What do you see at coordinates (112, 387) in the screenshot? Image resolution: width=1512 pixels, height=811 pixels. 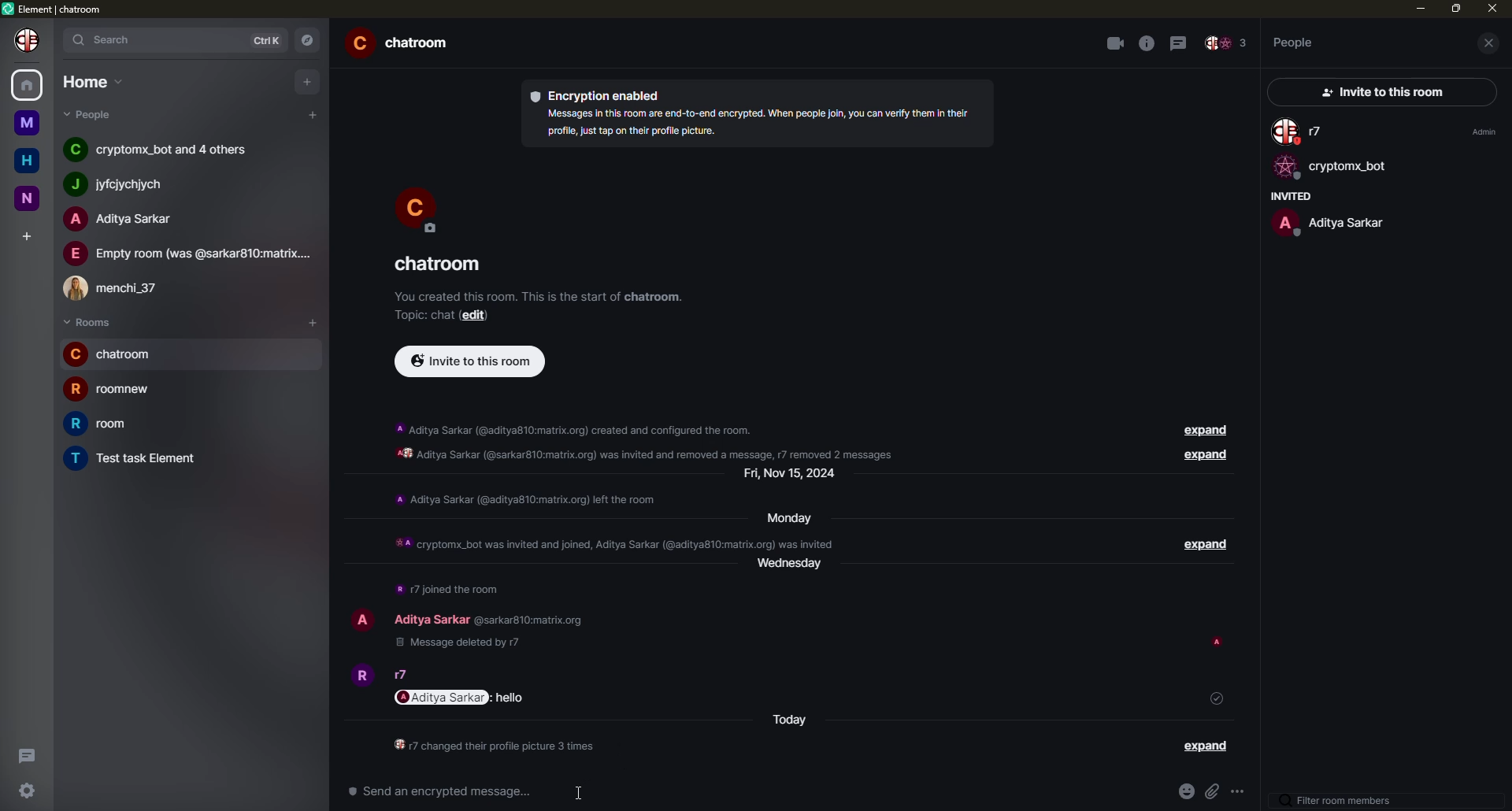 I see `room` at bounding box center [112, 387].